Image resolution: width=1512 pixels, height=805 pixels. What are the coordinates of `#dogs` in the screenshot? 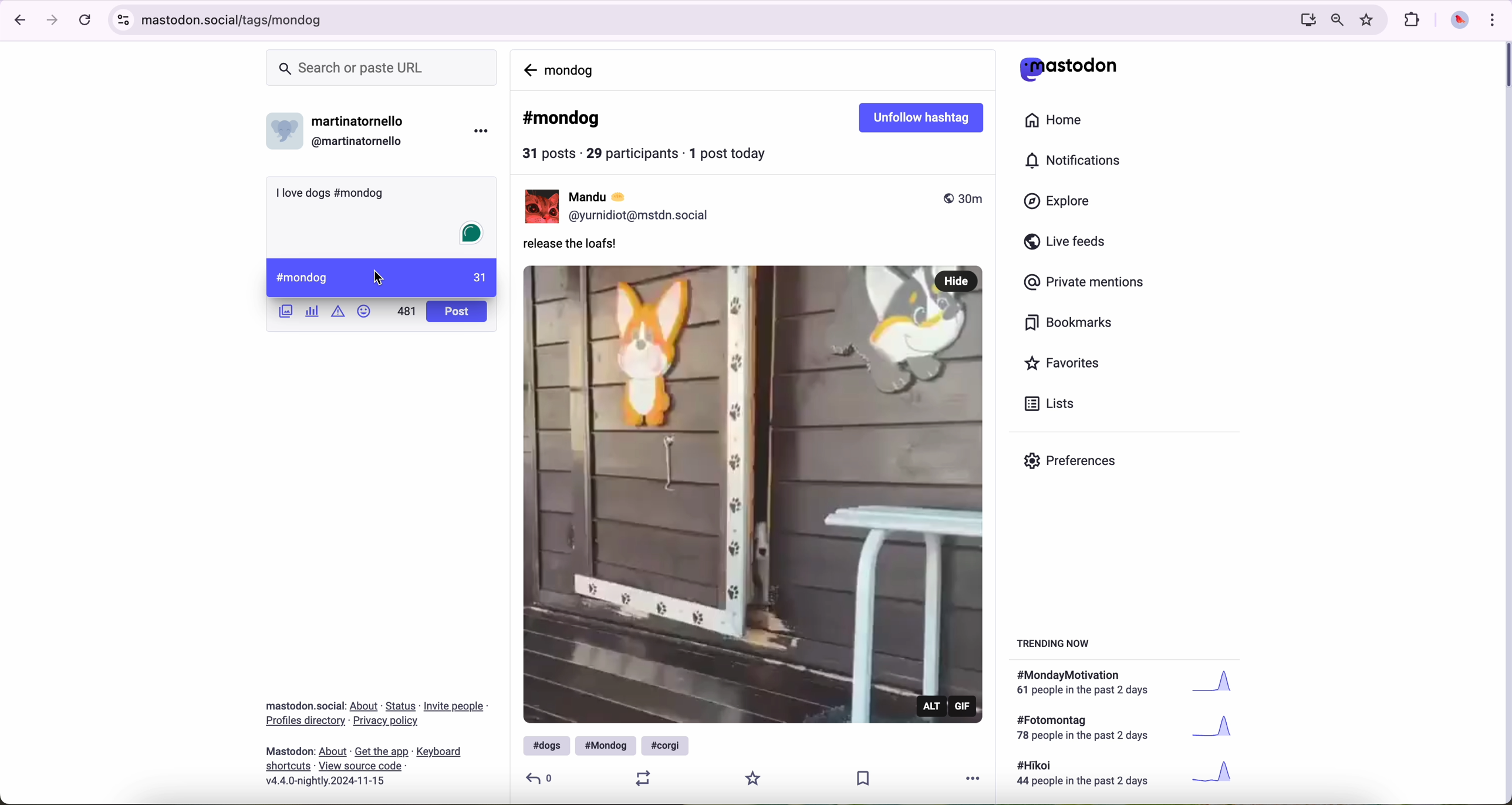 It's located at (544, 745).